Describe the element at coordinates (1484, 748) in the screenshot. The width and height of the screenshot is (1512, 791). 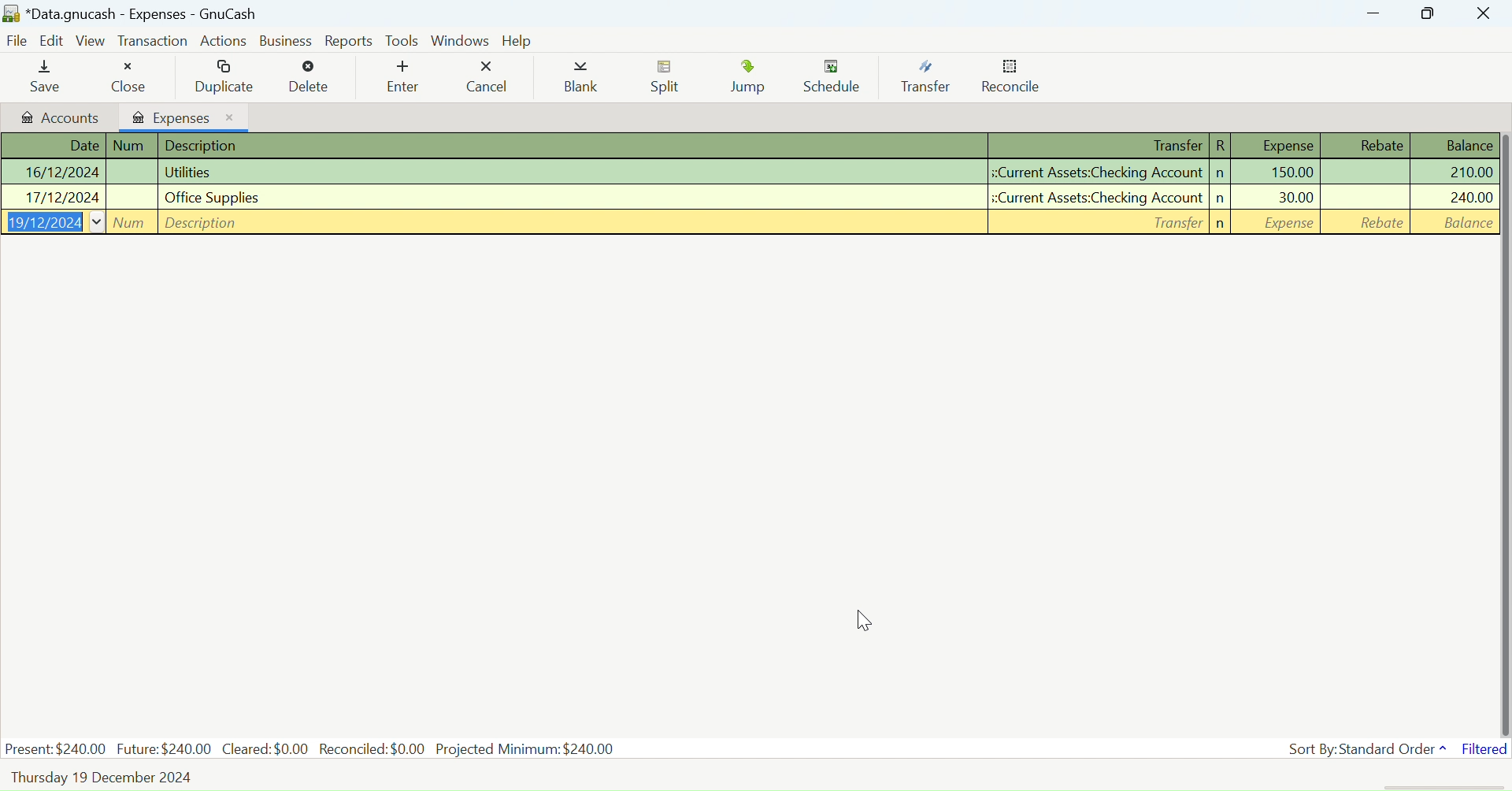
I see `Filtered` at that location.